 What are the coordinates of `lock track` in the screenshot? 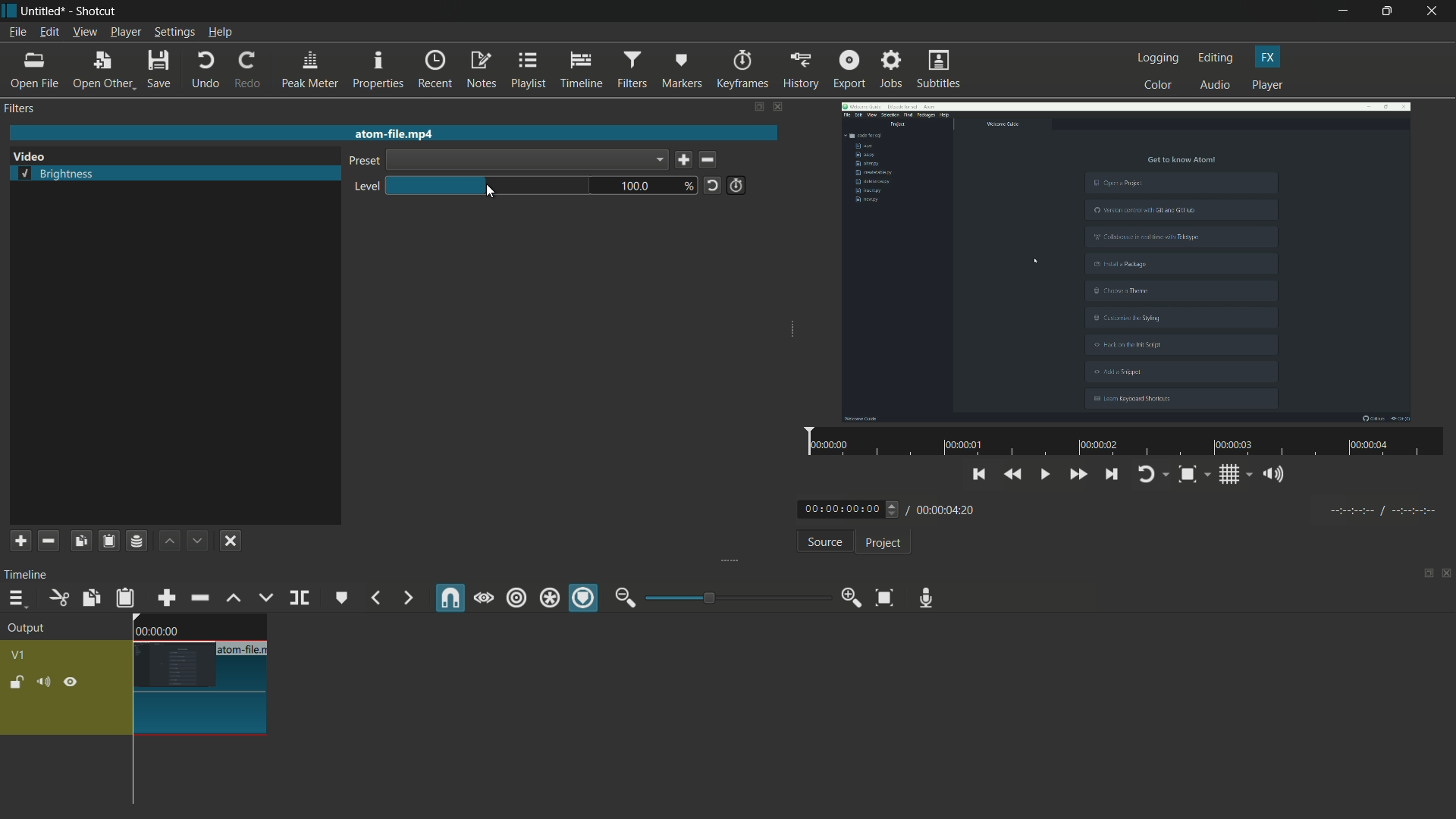 It's located at (19, 682).